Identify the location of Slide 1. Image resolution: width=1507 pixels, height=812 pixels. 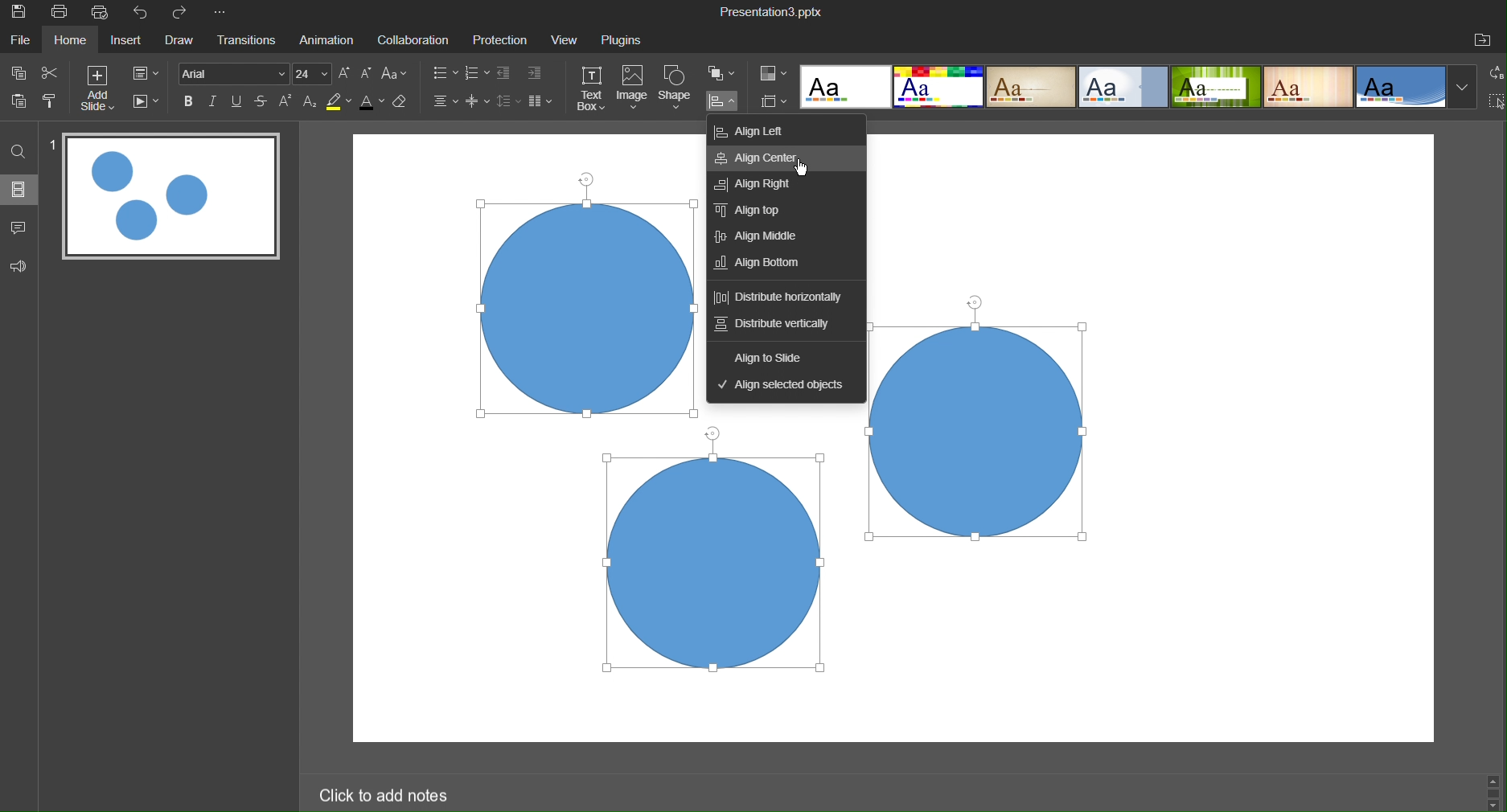
(171, 199).